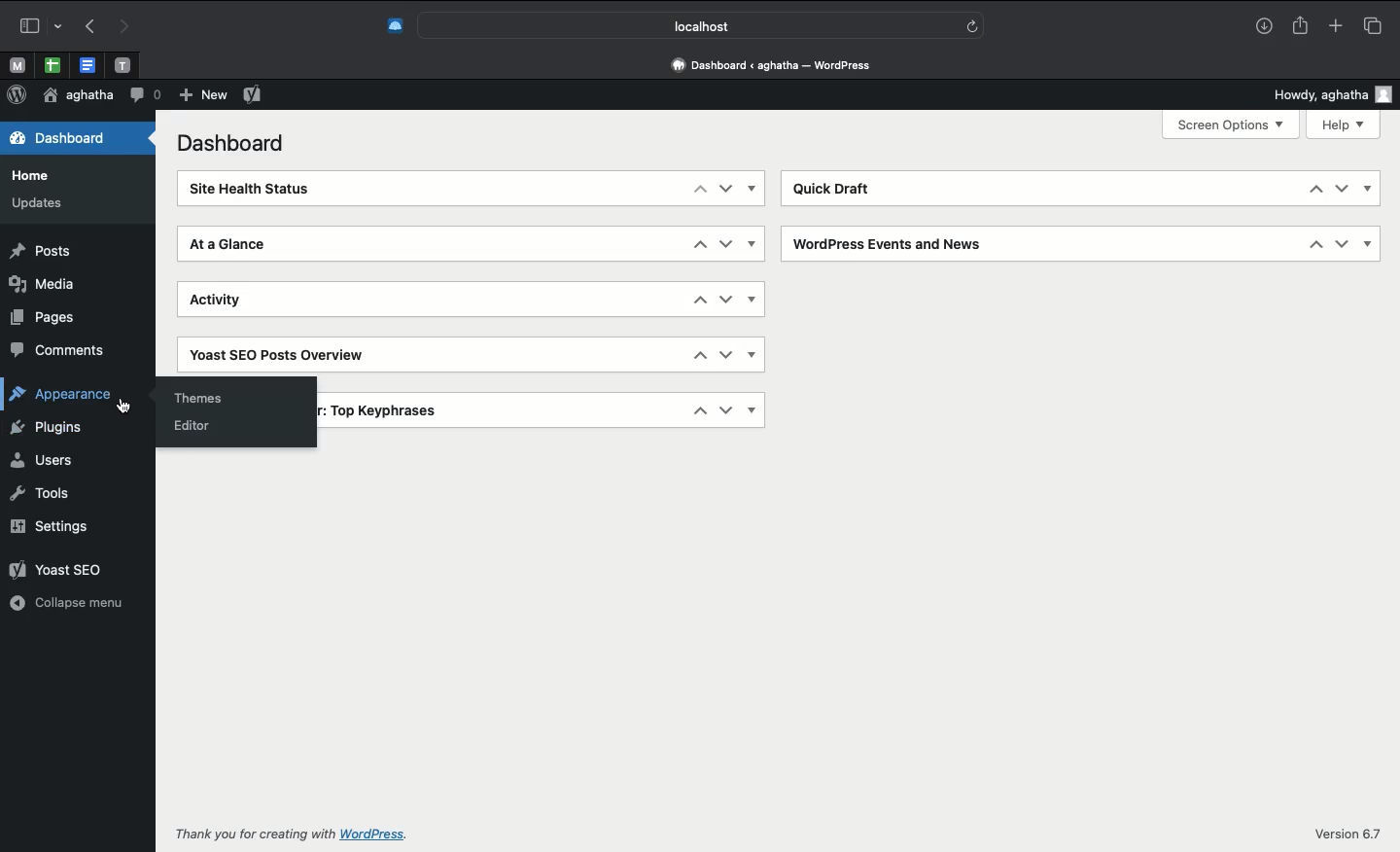  Describe the element at coordinates (704, 25) in the screenshot. I see `Search bar` at that location.